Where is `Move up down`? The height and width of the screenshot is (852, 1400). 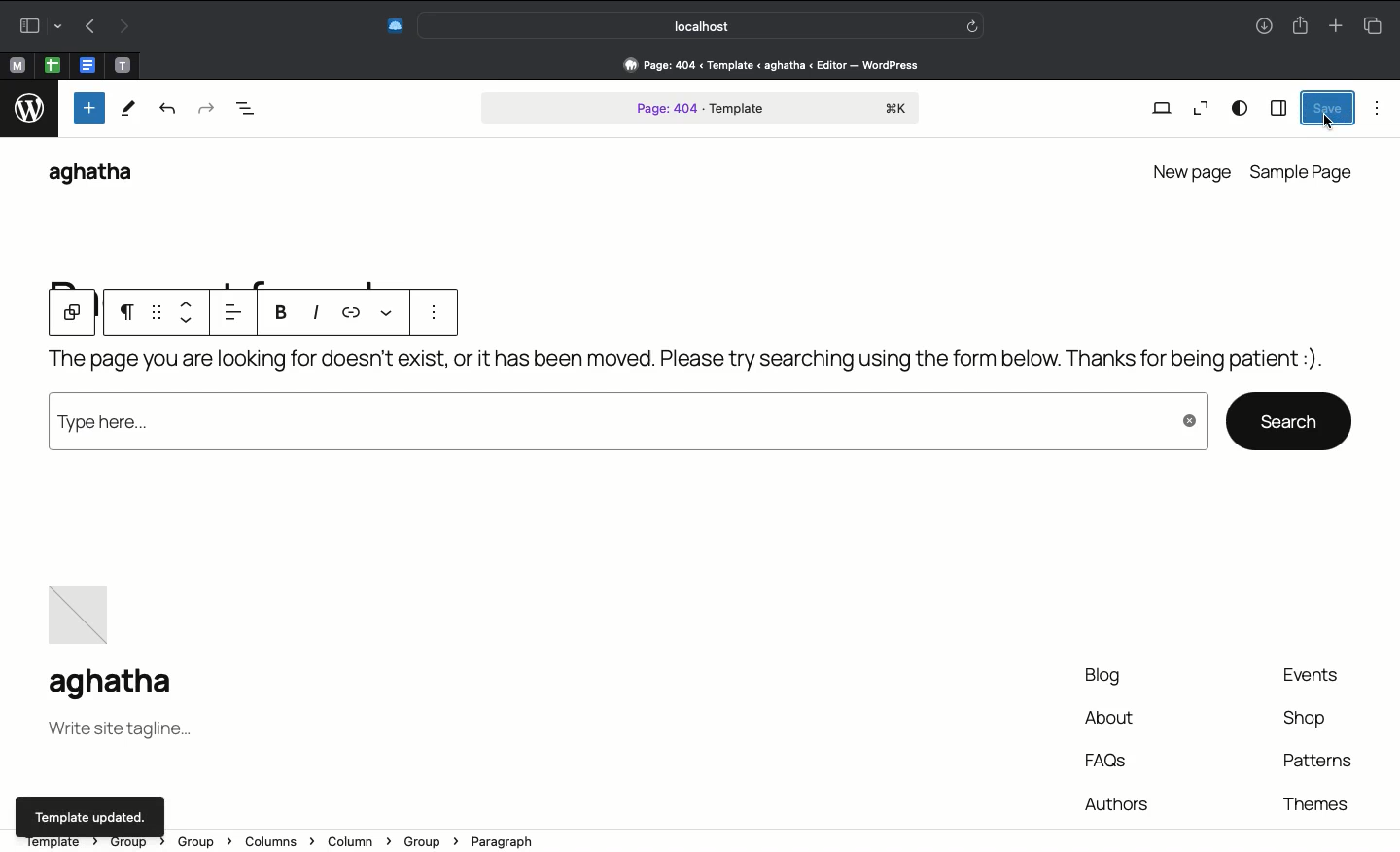
Move up down is located at coordinates (191, 312).